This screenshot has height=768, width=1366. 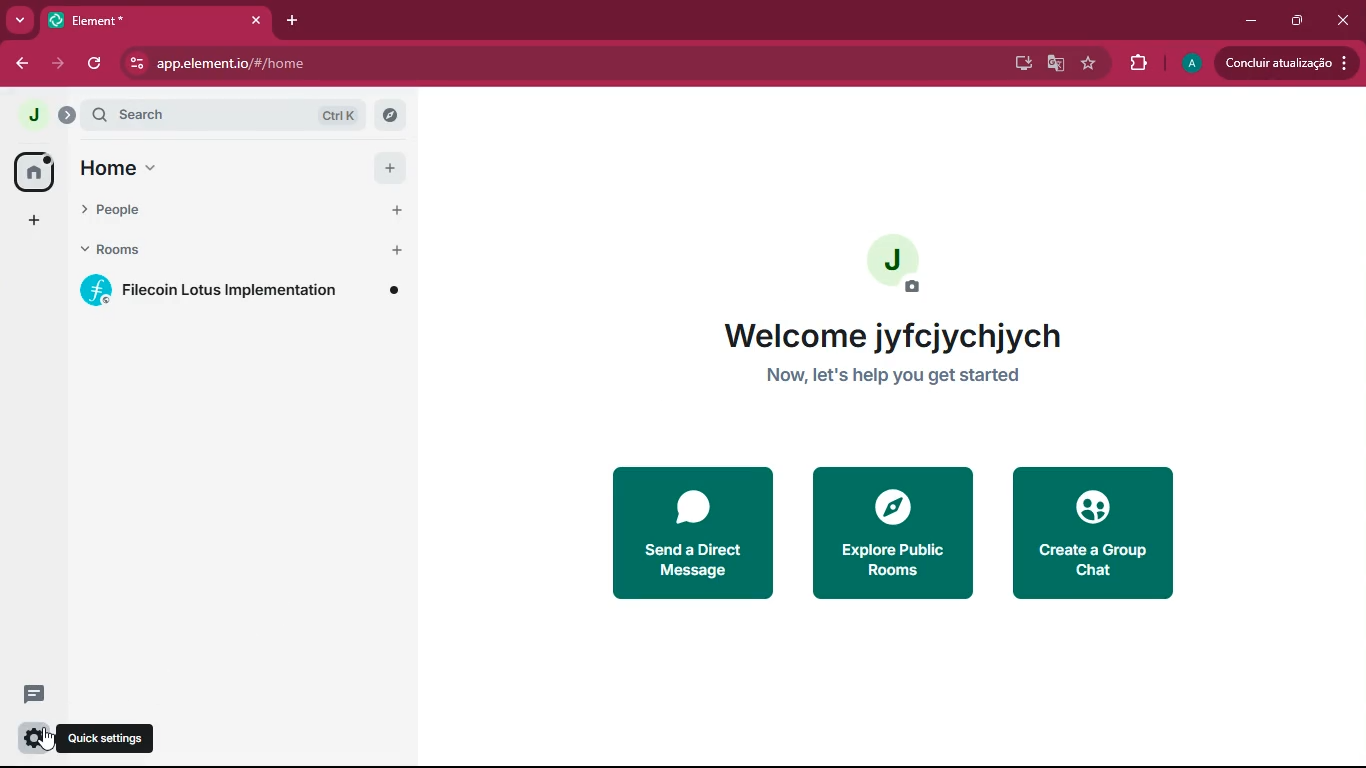 I want to click on minimize, so click(x=1244, y=19).